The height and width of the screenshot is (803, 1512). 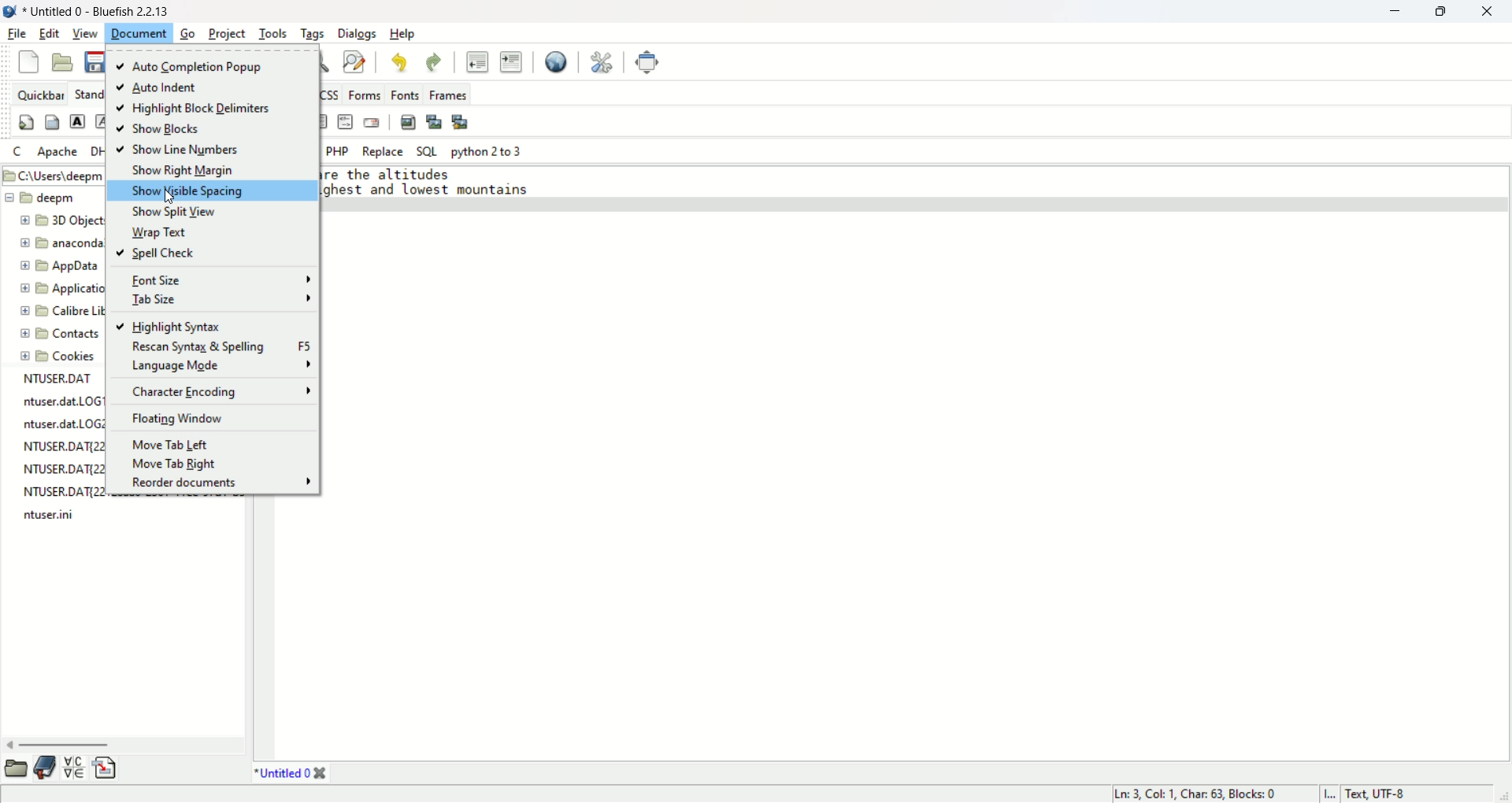 What do you see at coordinates (313, 34) in the screenshot?
I see `tags` at bounding box center [313, 34].